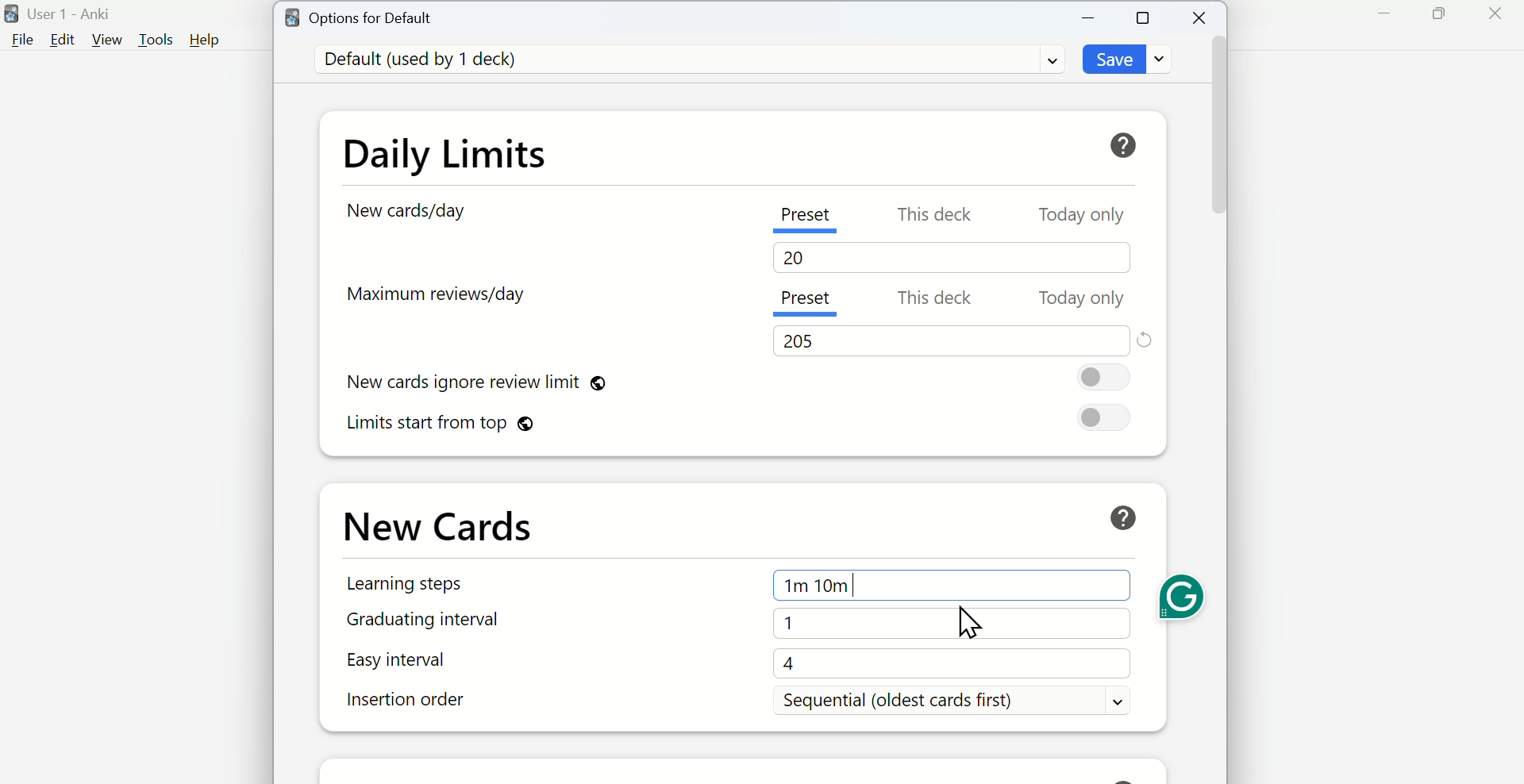  Describe the element at coordinates (1106, 419) in the screenshot. I see `On/Off toggle` at that location.